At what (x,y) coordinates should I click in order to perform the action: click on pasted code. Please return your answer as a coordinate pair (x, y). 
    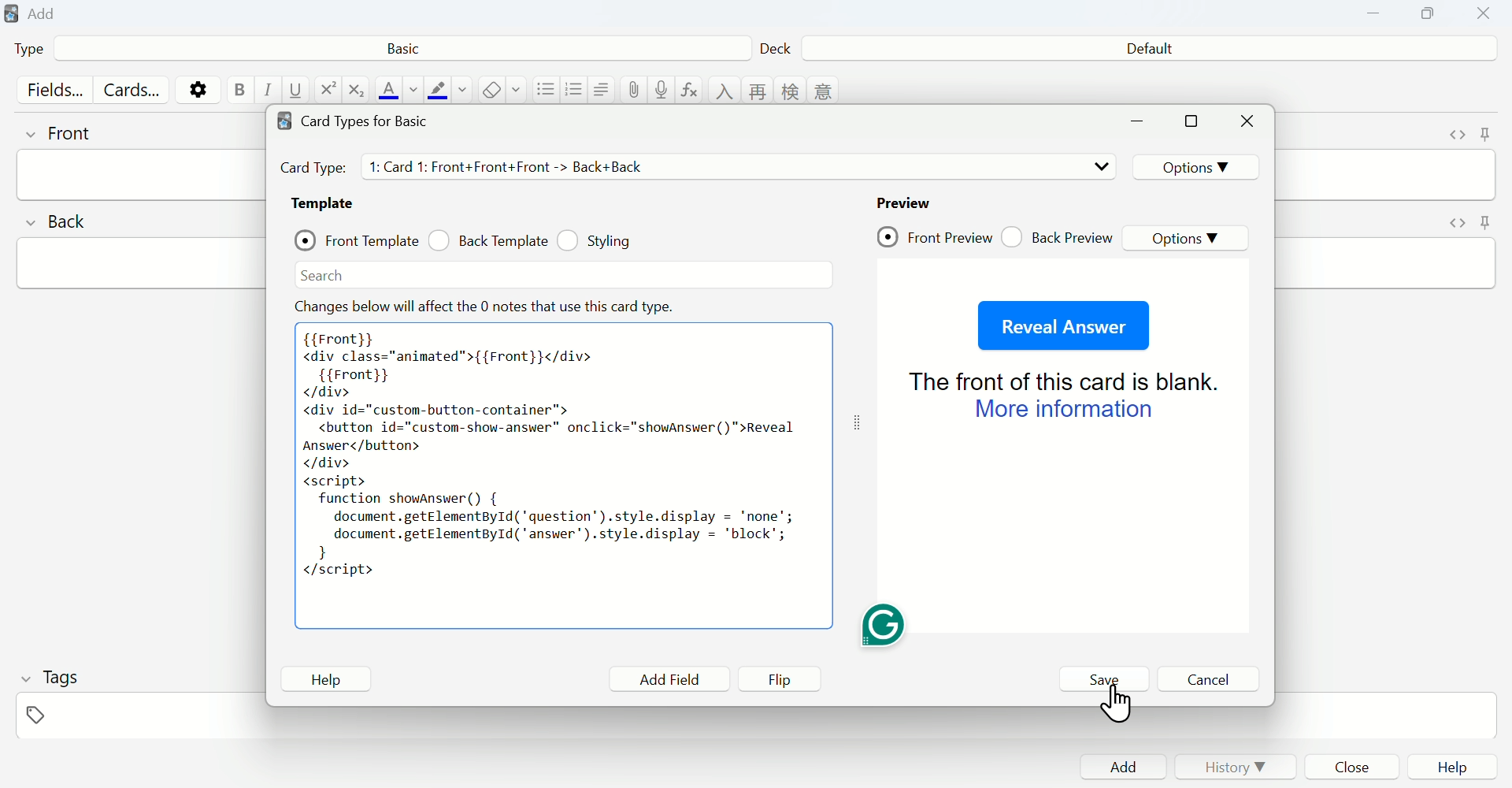
    Looking at the image, I should click on (562, 476).